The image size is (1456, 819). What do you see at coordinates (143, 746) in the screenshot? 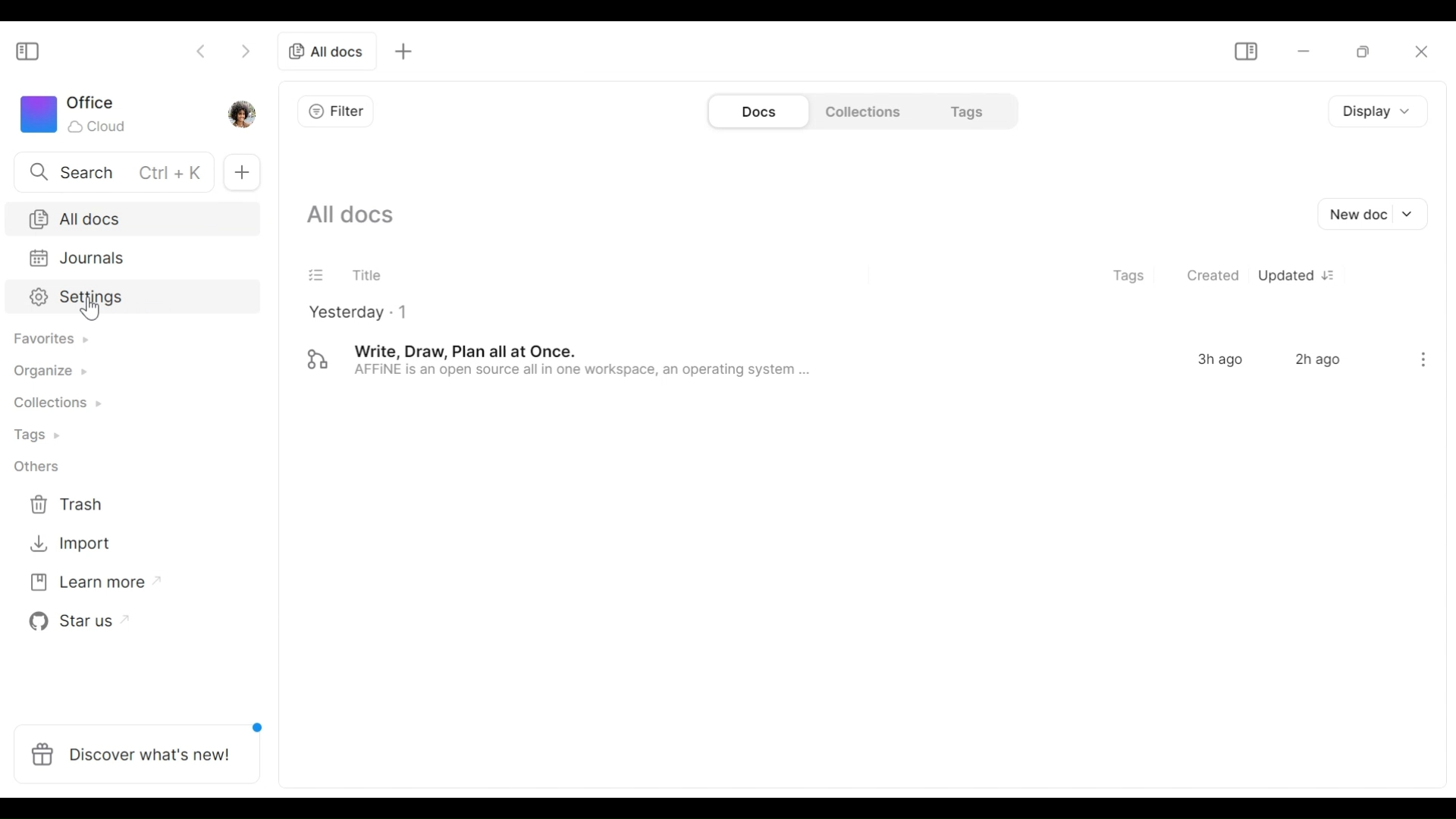
I see `Discover what's new` at bounding box center [143, 746].